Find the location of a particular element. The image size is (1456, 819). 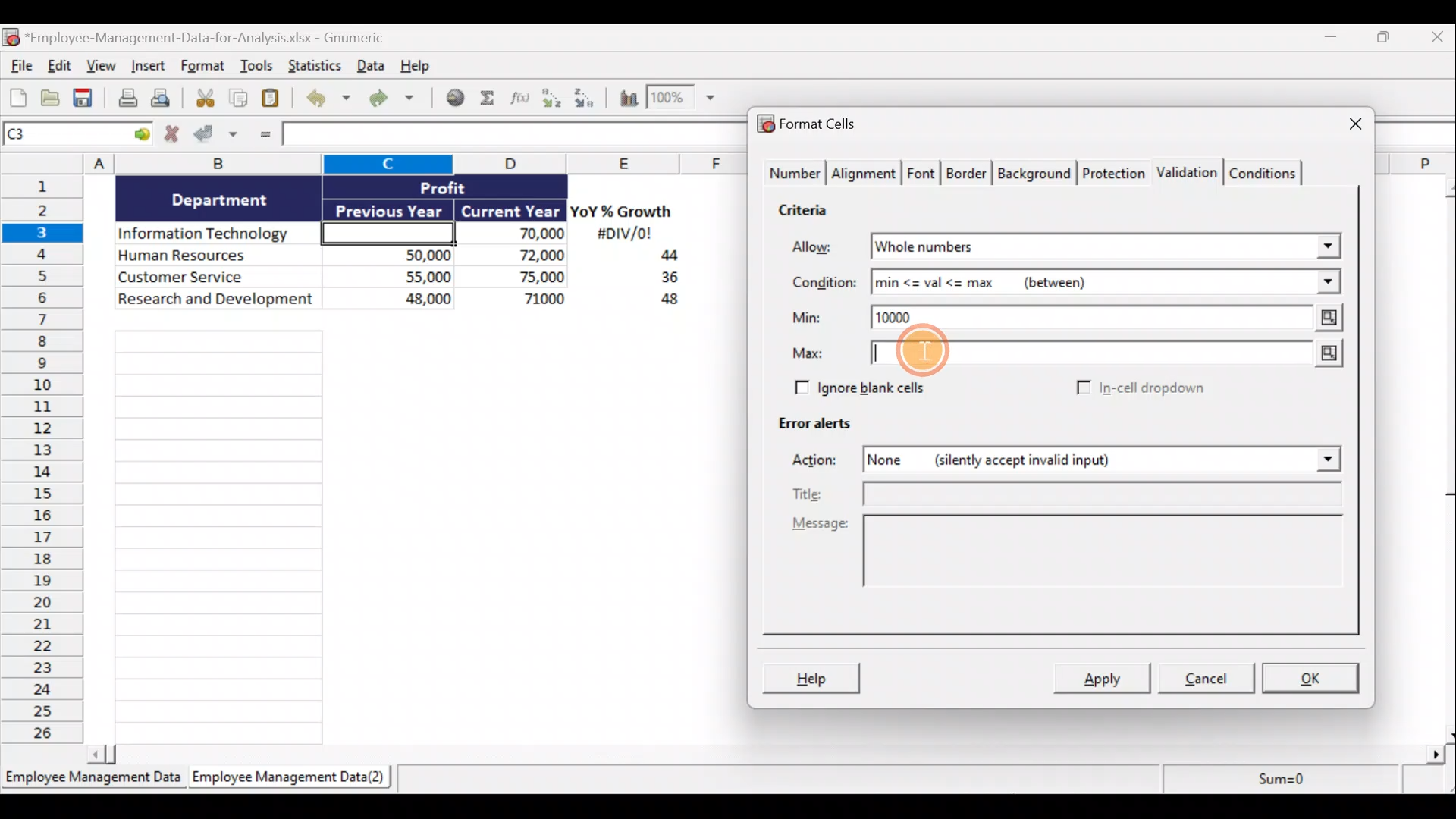

Data is located at coordinates (369, 65).